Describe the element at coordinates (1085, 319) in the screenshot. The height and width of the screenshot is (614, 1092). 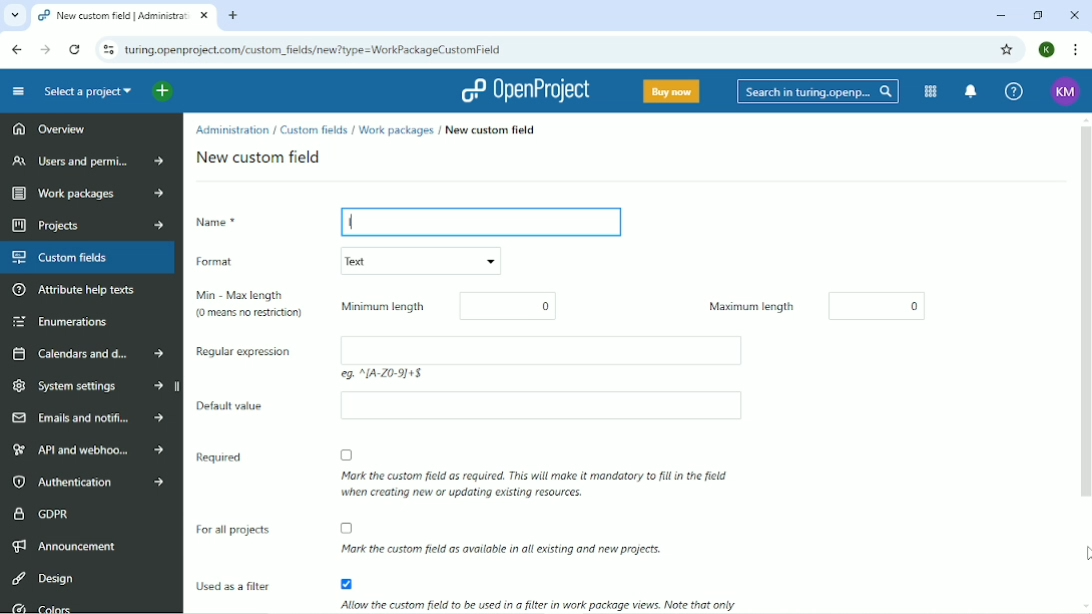
I see `Vertical scrollbar` at that location.